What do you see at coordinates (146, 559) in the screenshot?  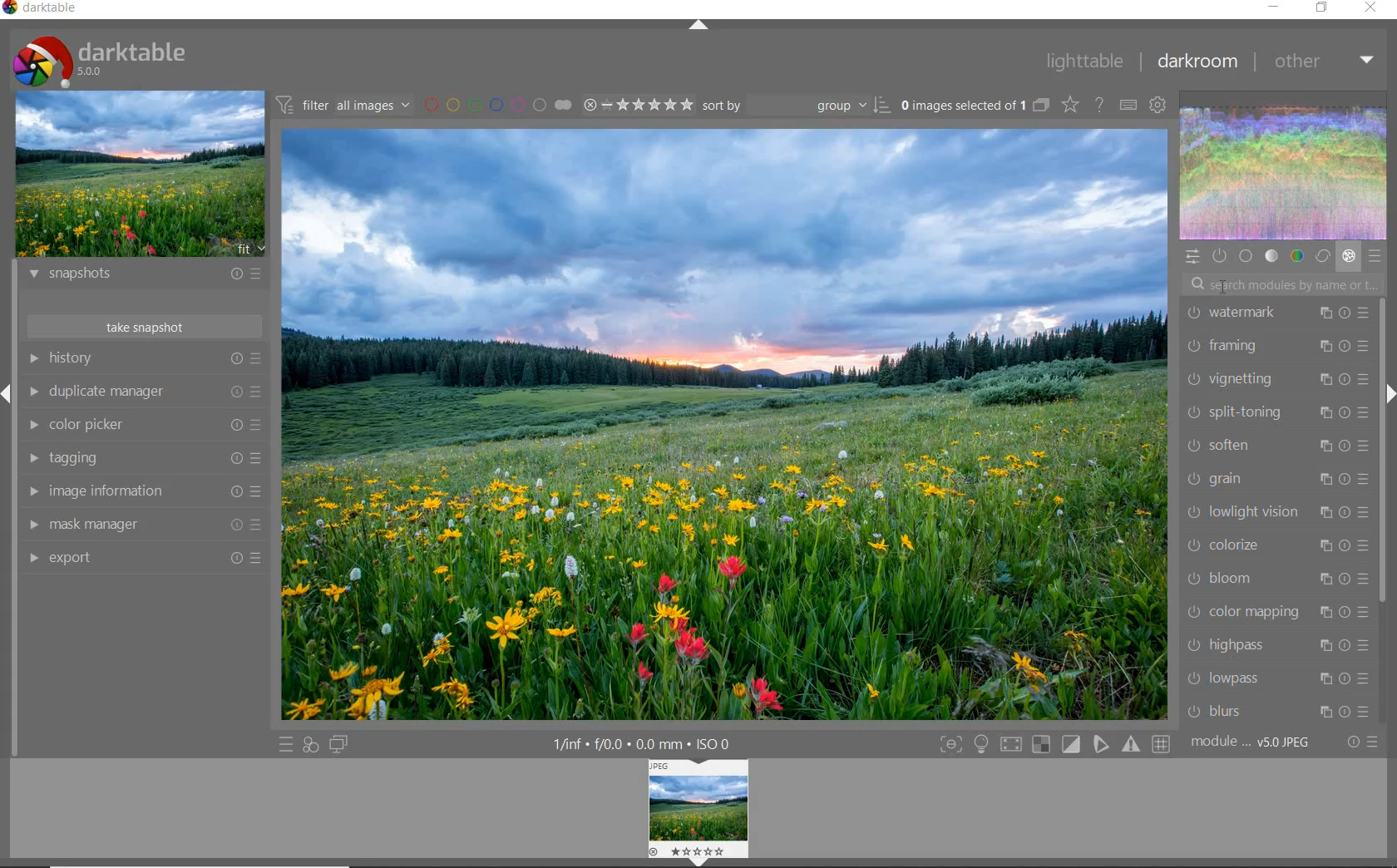 I see `export` at bounding box center [146, 559].